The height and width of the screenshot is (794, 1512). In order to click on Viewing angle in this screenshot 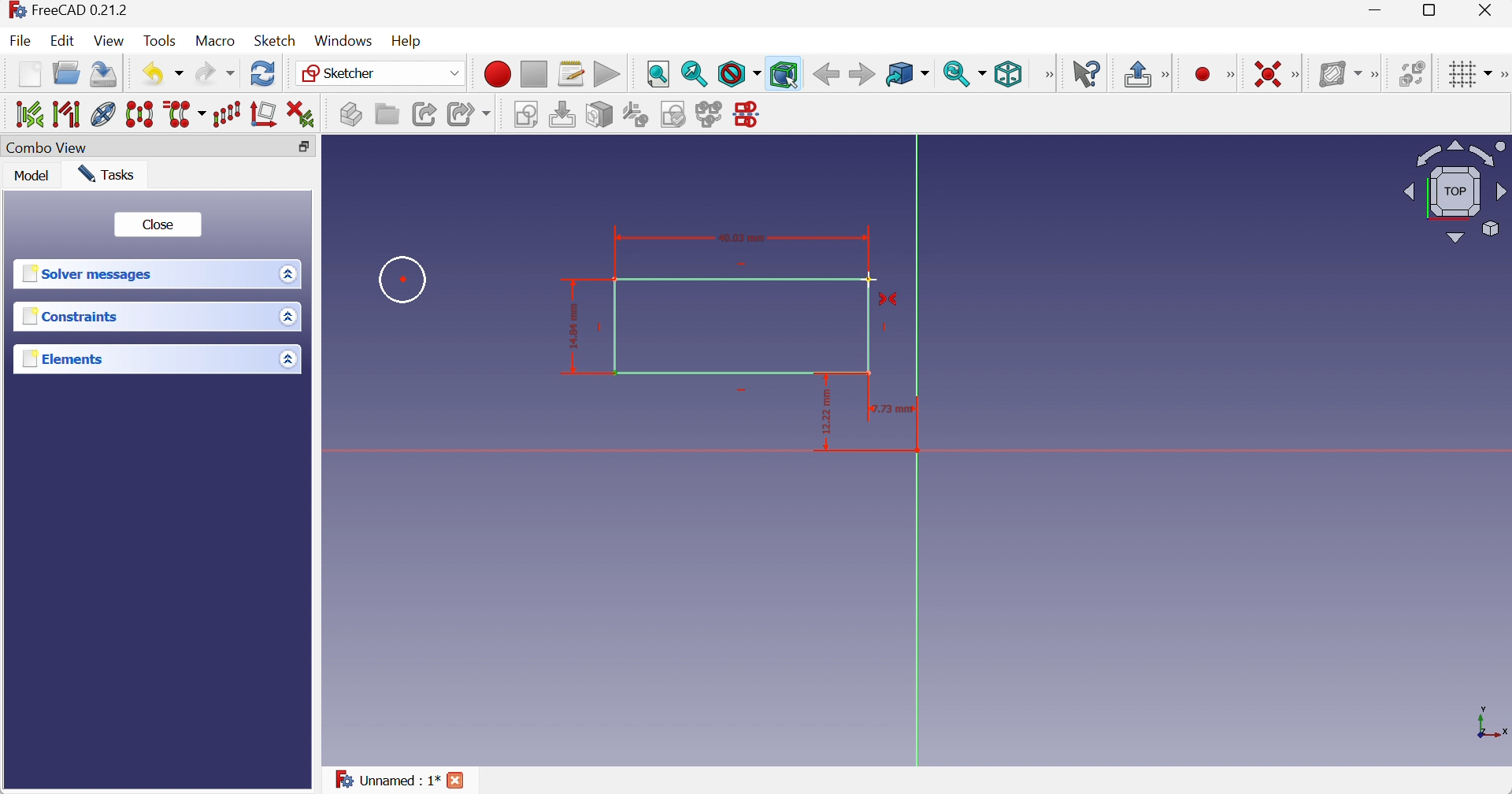, I will do `click(1455, 194)`.